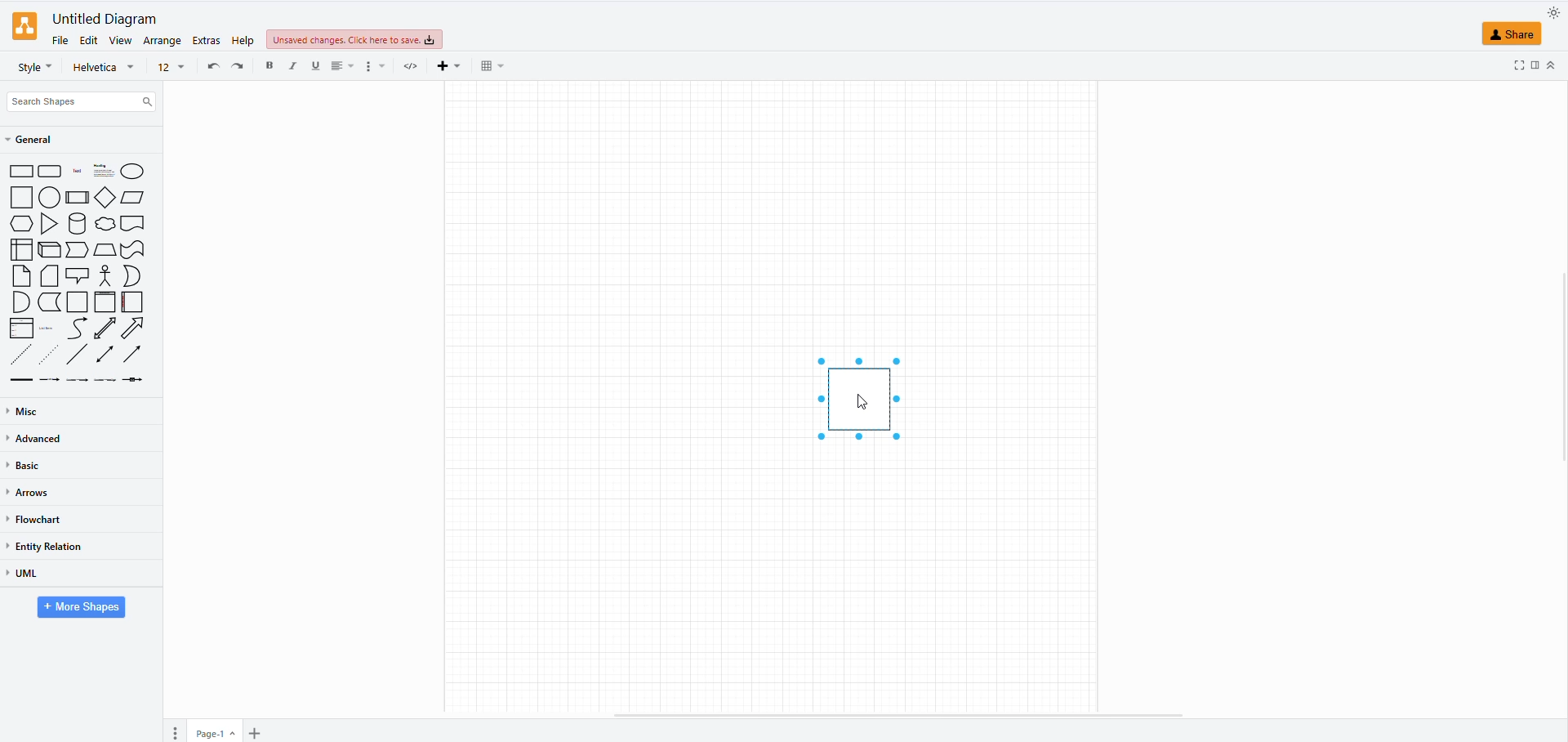 The height and width of the screenshot is (742, 1568). I want to click on horizontal container, so click(131, 302).